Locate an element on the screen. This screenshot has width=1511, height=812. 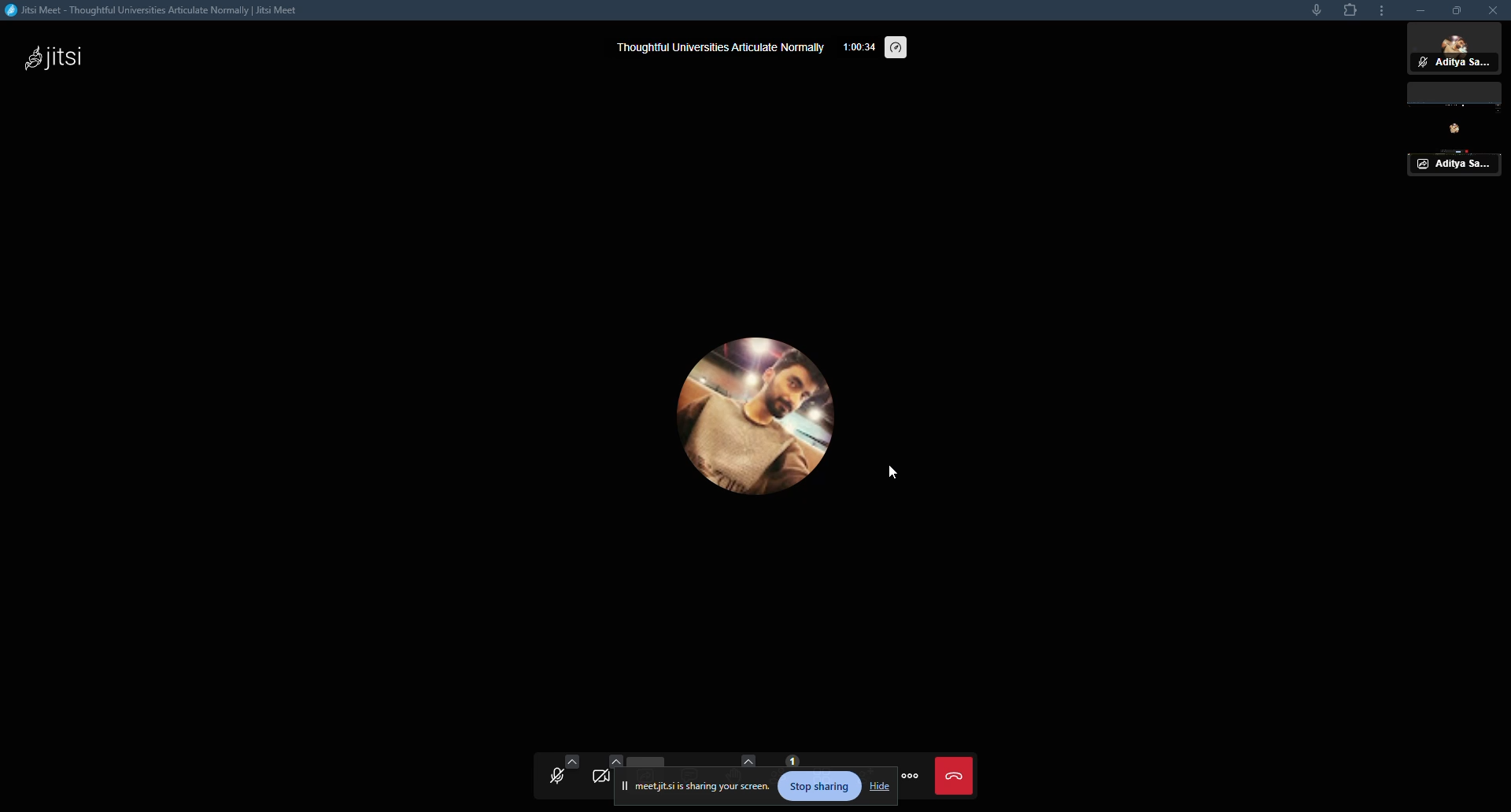
profile picture is located at coordinates (742, 419).